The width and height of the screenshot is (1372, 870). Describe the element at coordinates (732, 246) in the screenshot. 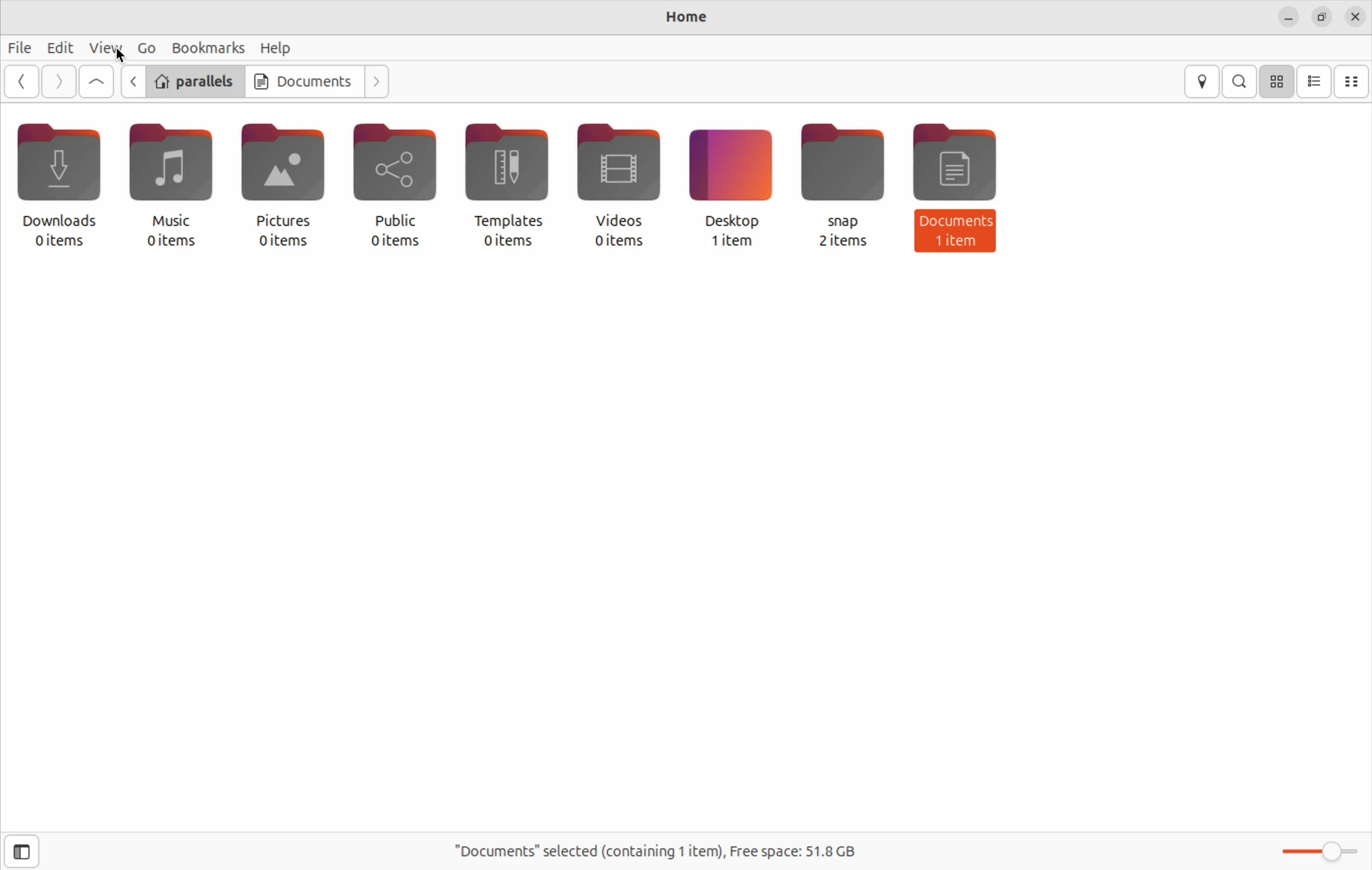

I see `1 item` at that location.